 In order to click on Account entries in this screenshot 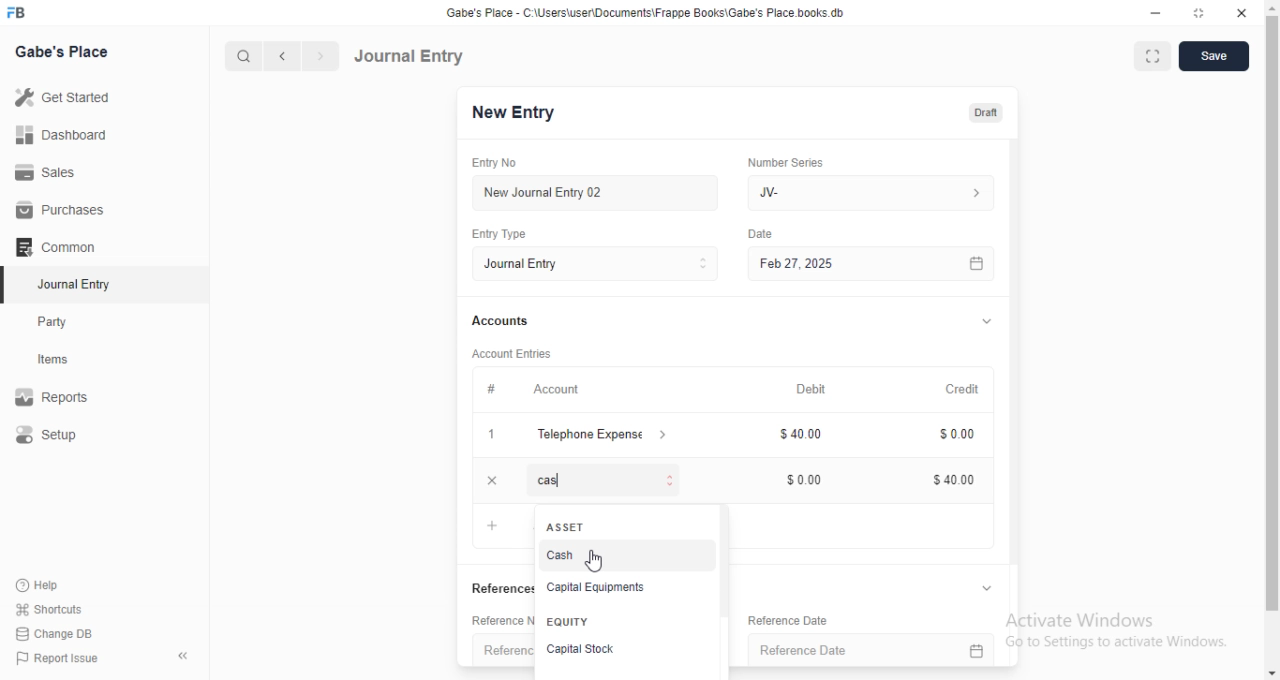, I will do `click(519, 353)`.